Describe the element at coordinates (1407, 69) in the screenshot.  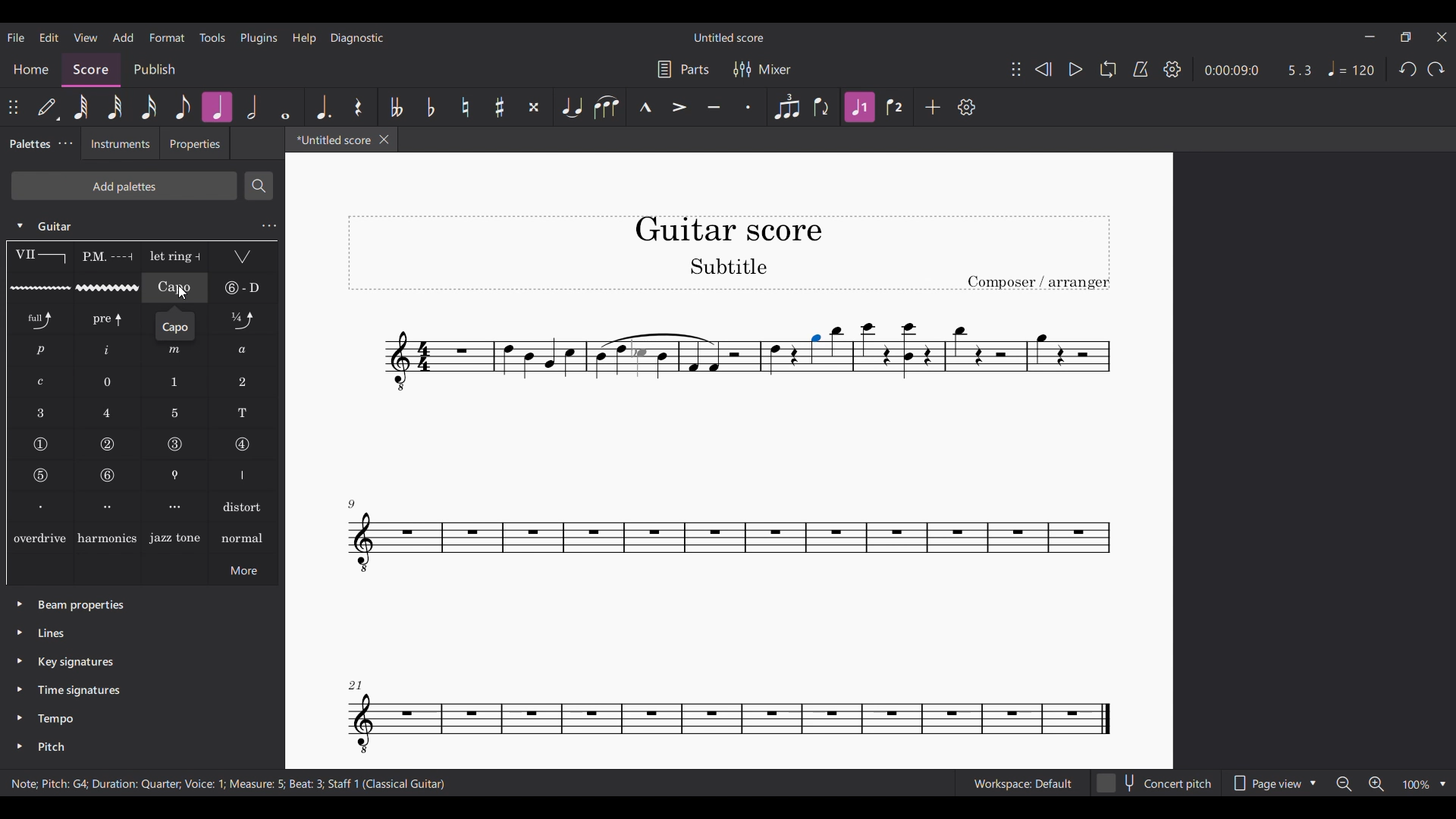
I see `Undo` at that location.